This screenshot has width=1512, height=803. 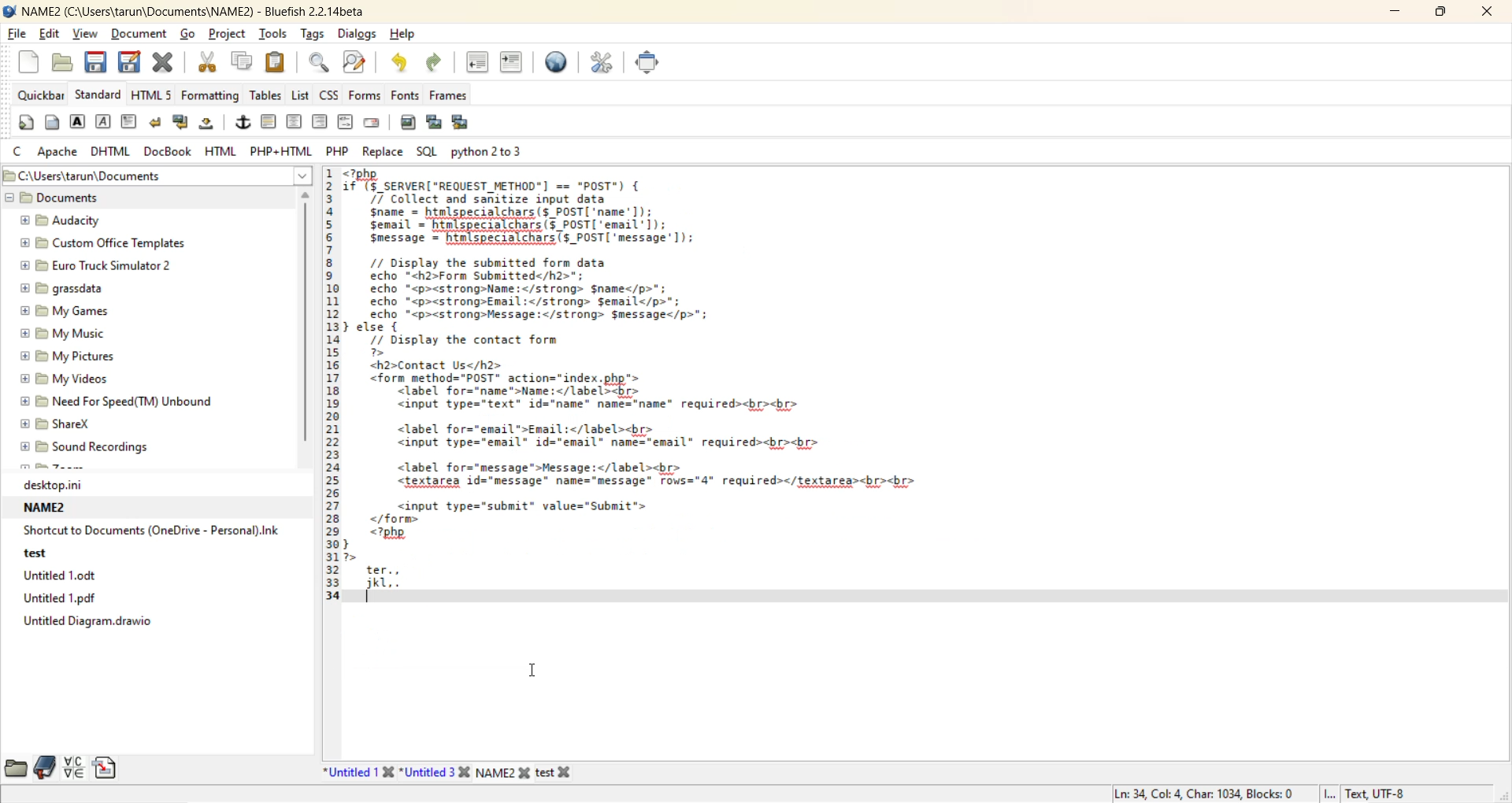 I want to click on html comment, so click(x=345, y=121).